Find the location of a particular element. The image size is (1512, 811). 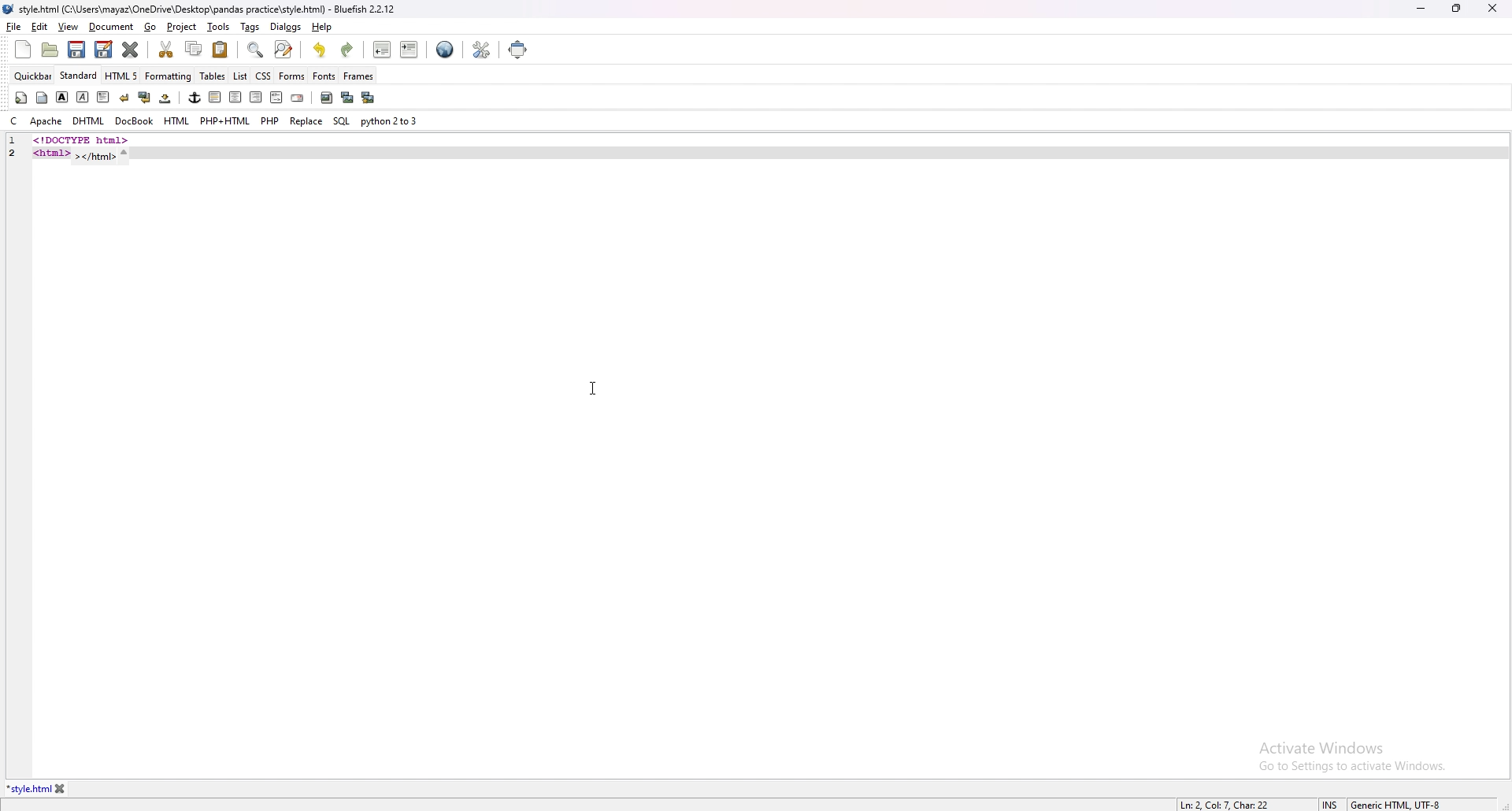

paragraph is located at coordinates (102, 96).